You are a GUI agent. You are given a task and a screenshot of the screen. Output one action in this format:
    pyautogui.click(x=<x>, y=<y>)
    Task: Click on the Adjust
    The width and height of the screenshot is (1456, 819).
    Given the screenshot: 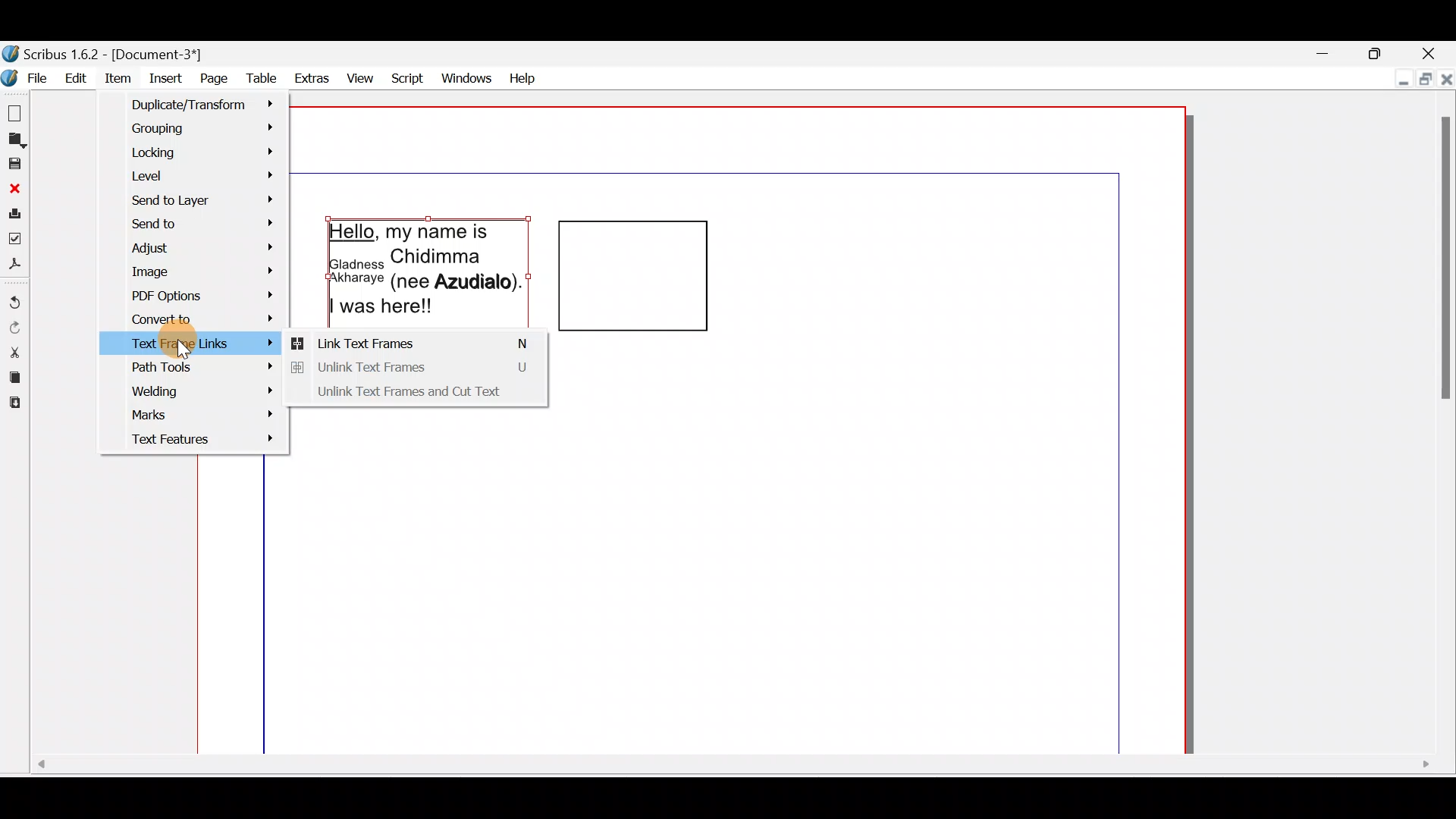 What is the action you would take?
    pyautogui.click(x=199, y=247)
    